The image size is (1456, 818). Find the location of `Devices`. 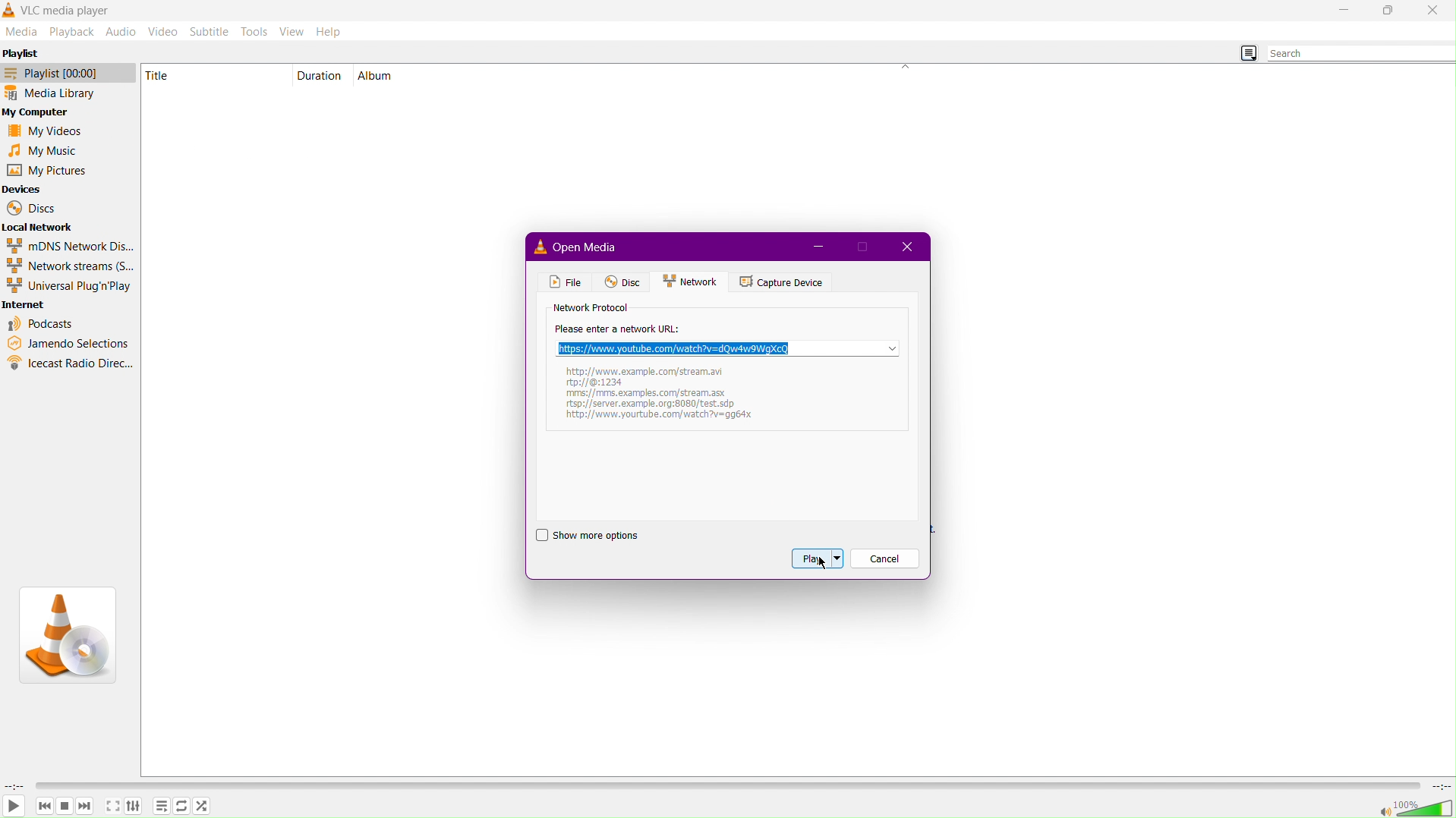

Devices is located at coordinates (24, 188).